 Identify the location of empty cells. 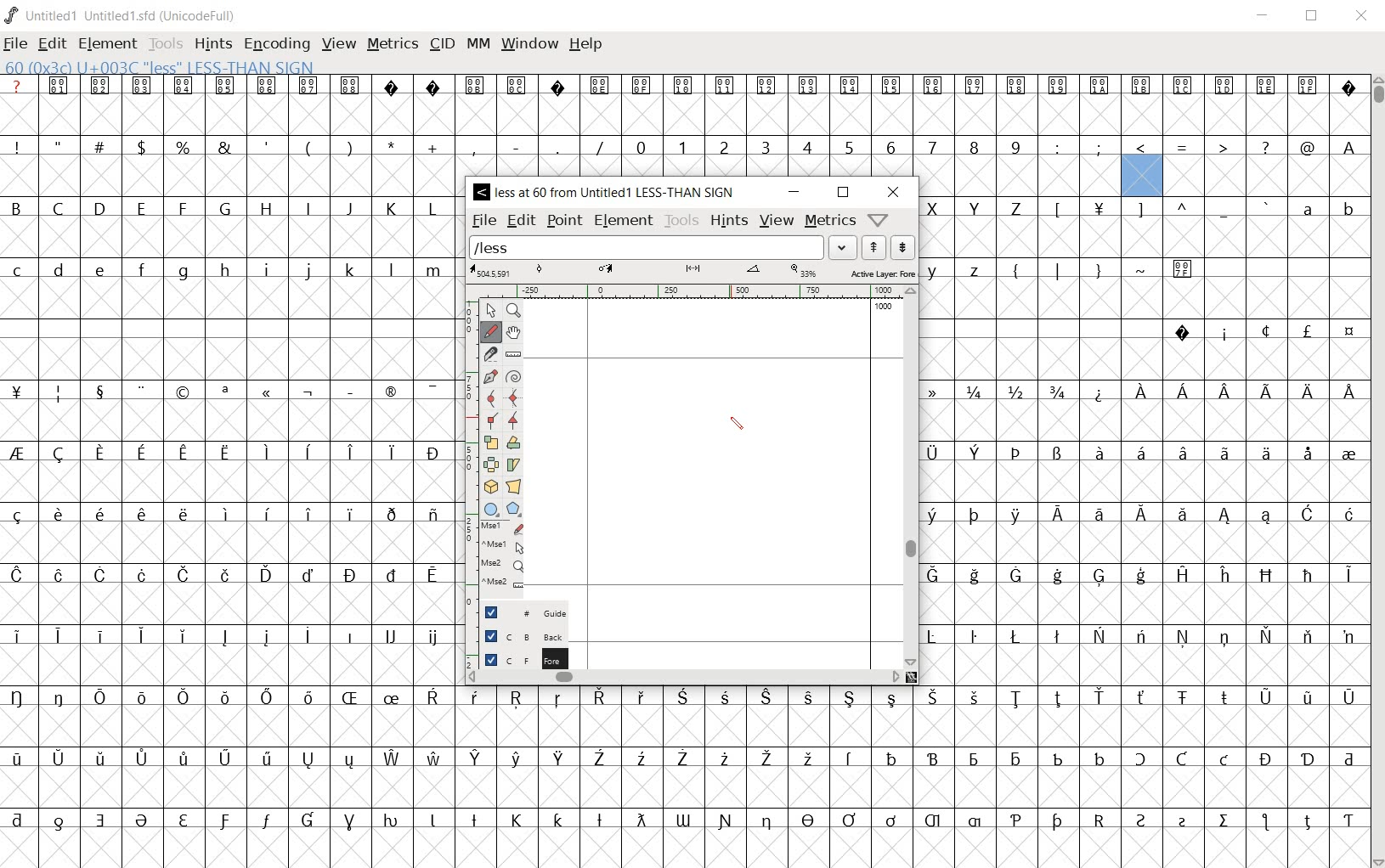
(684, 786).